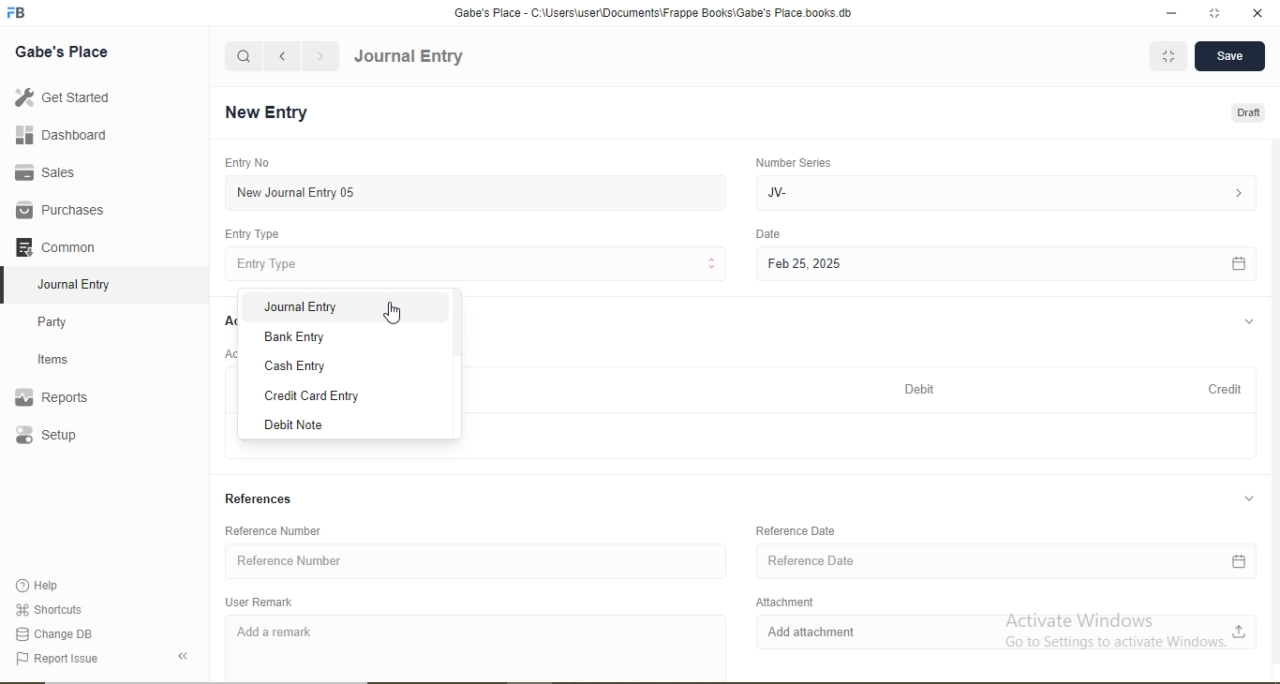 The image size is (1280, 684). I want to click on Reference Number, so click(278, 531).